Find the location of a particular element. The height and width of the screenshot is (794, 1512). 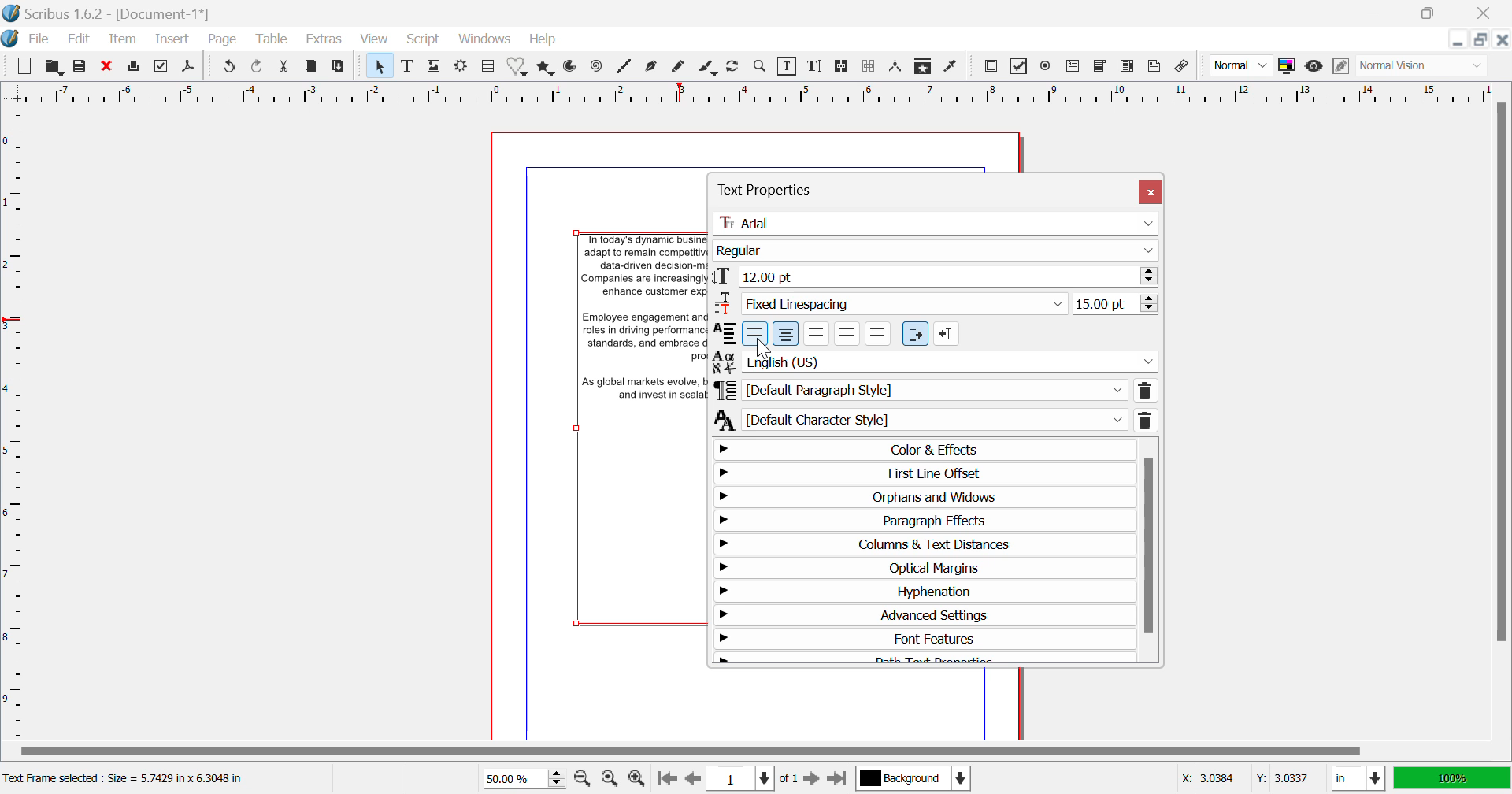

Cursor on Left Align is located at coordinates (762, 346).